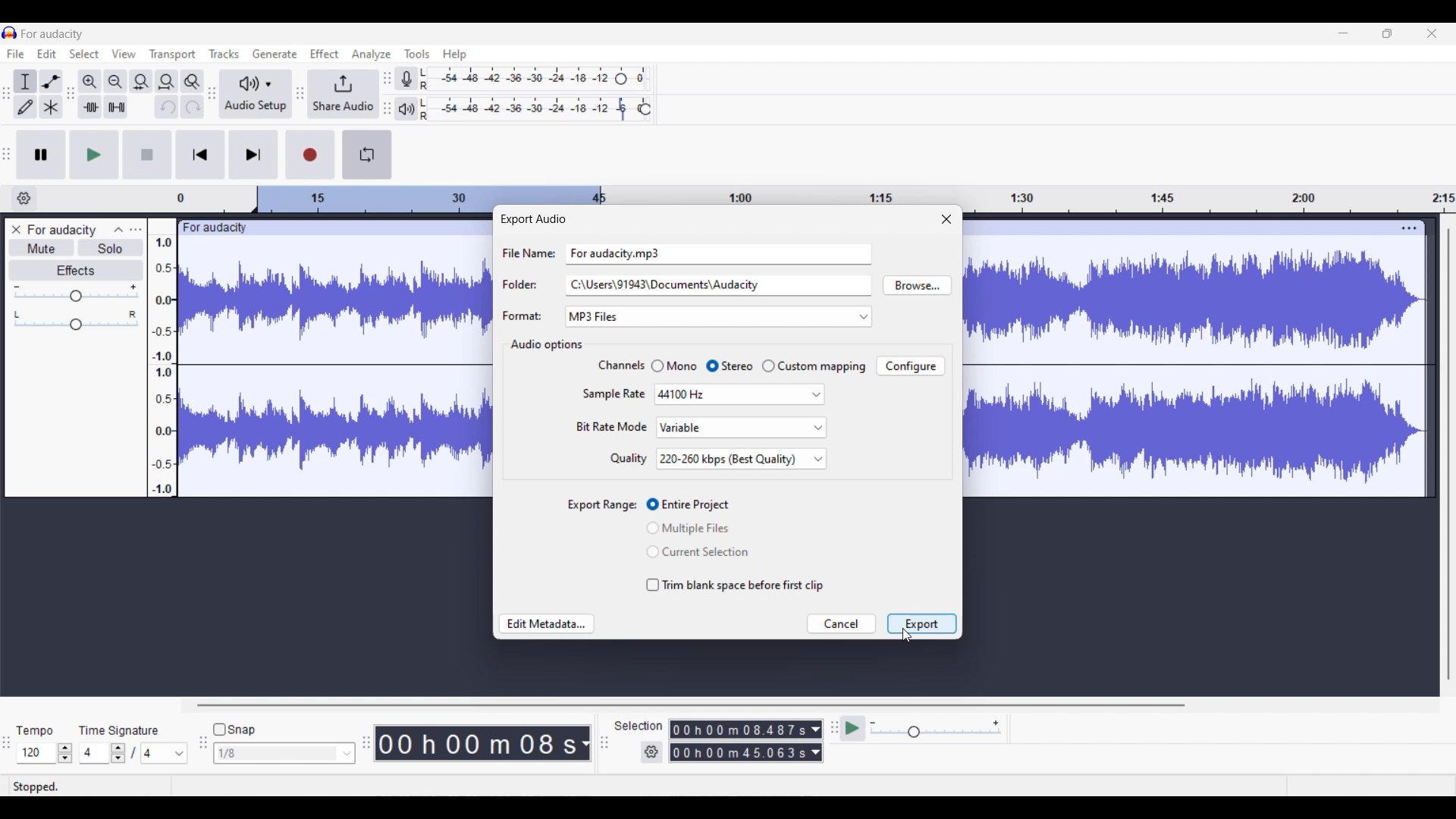  I want to click on Close interface, so click(1432, 33).